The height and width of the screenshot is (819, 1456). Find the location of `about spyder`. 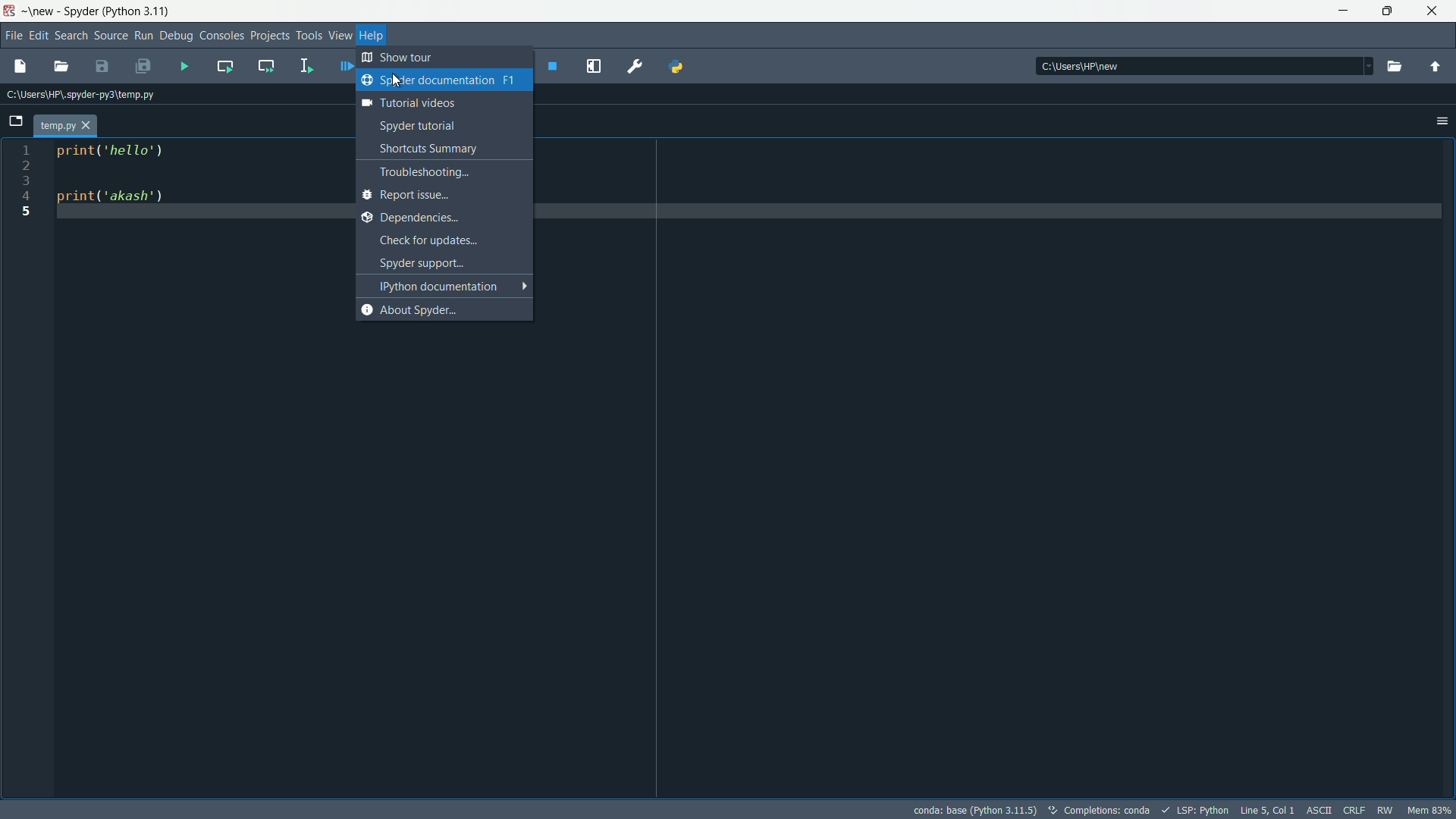

about spyder is located at coordinates (441, 309).